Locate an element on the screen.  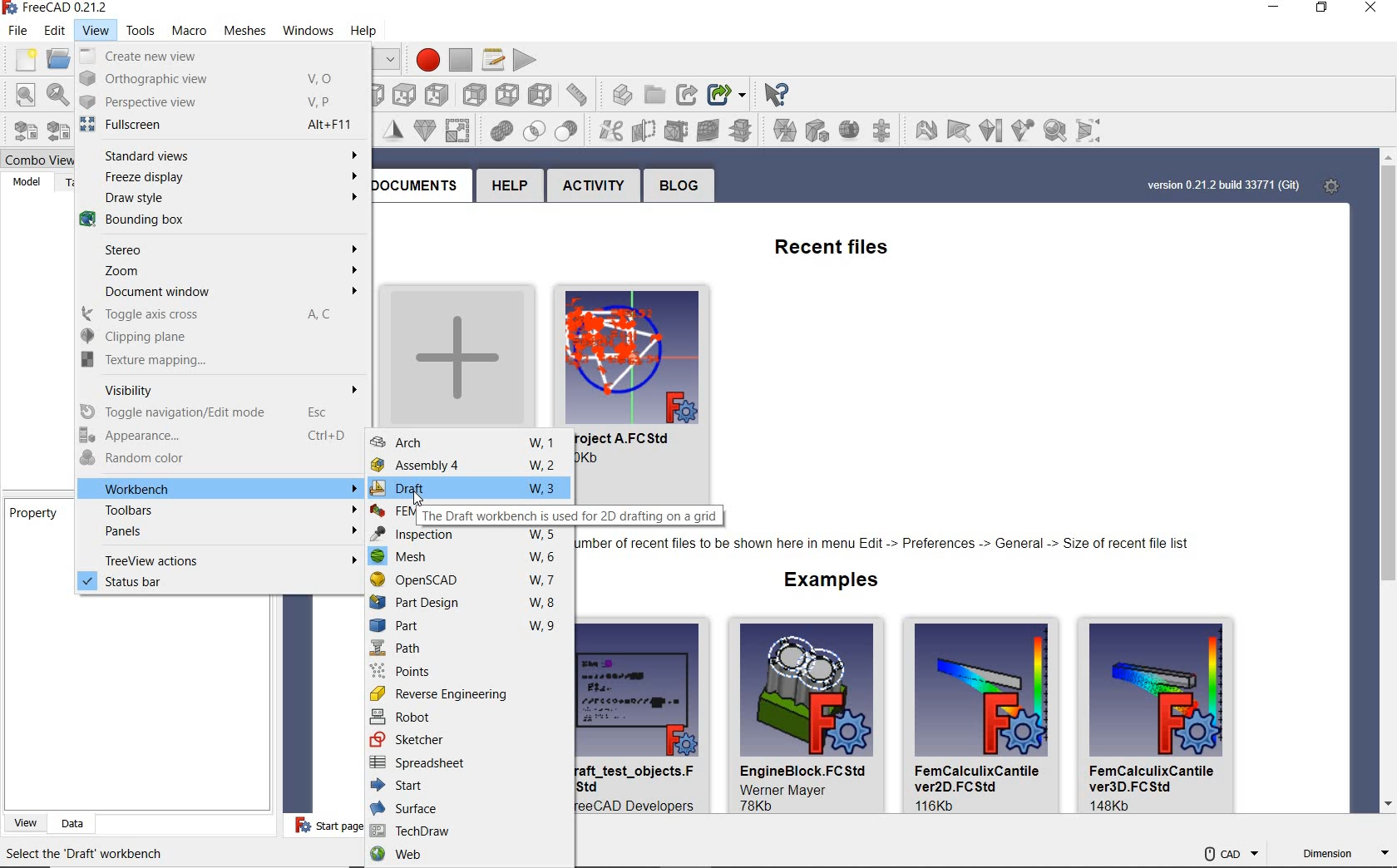
surface is located at coordinates (466, 808).